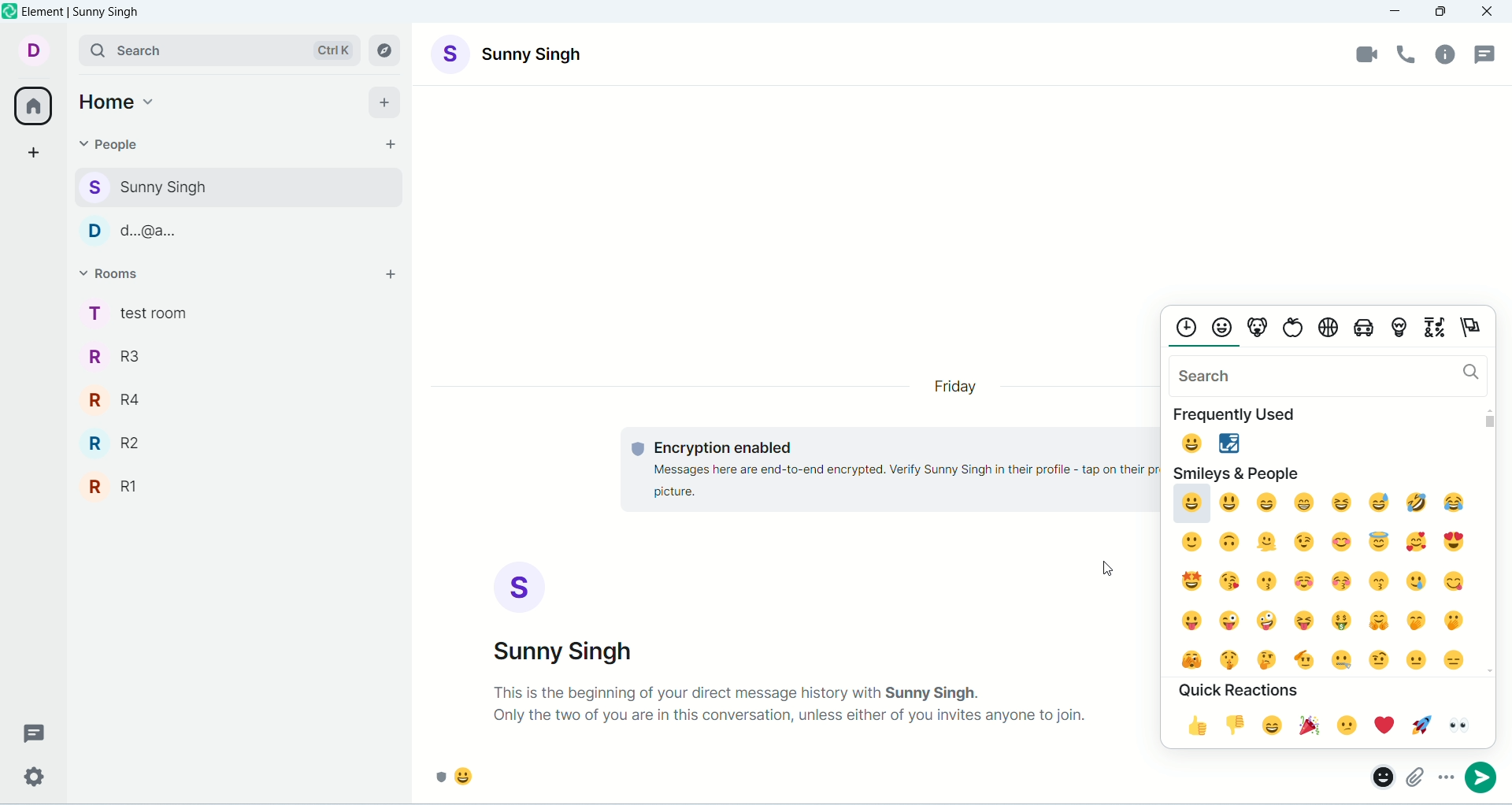  What do you see at coordinates (1245, 414) in the screenshot?
I see `frequently used` at bounding box center [1245, 414].